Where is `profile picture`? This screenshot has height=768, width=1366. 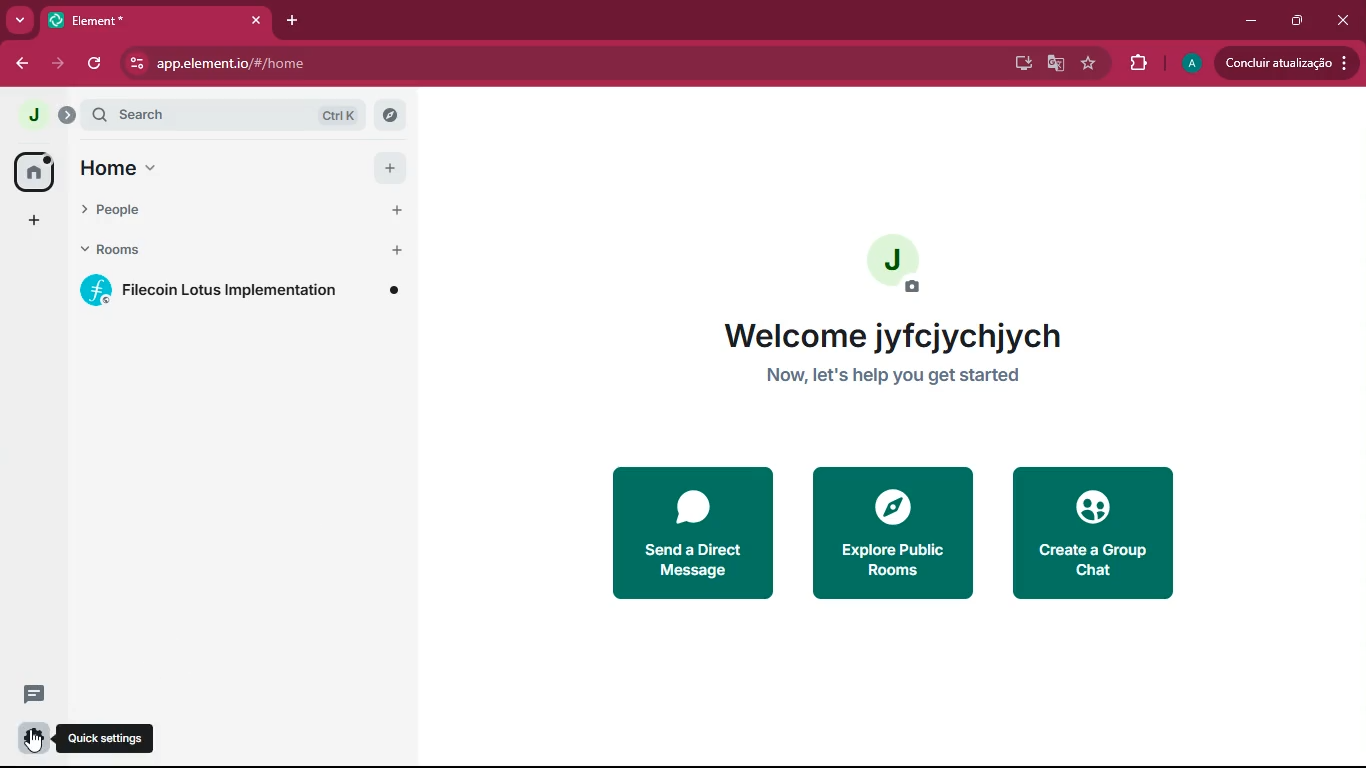
profile picture is located at coordinates (902, 265).